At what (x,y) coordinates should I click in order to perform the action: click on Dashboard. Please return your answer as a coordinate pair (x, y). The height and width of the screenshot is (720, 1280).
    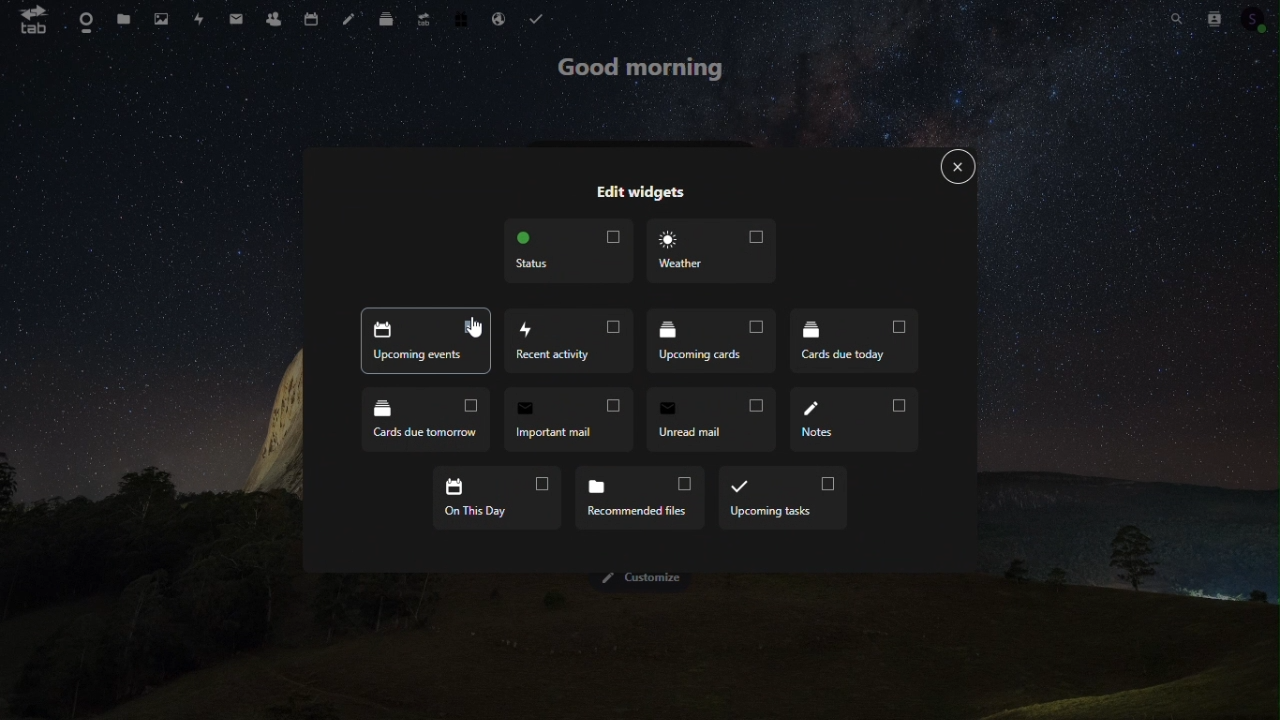
    Looking at the image, I should click on (78, 17).